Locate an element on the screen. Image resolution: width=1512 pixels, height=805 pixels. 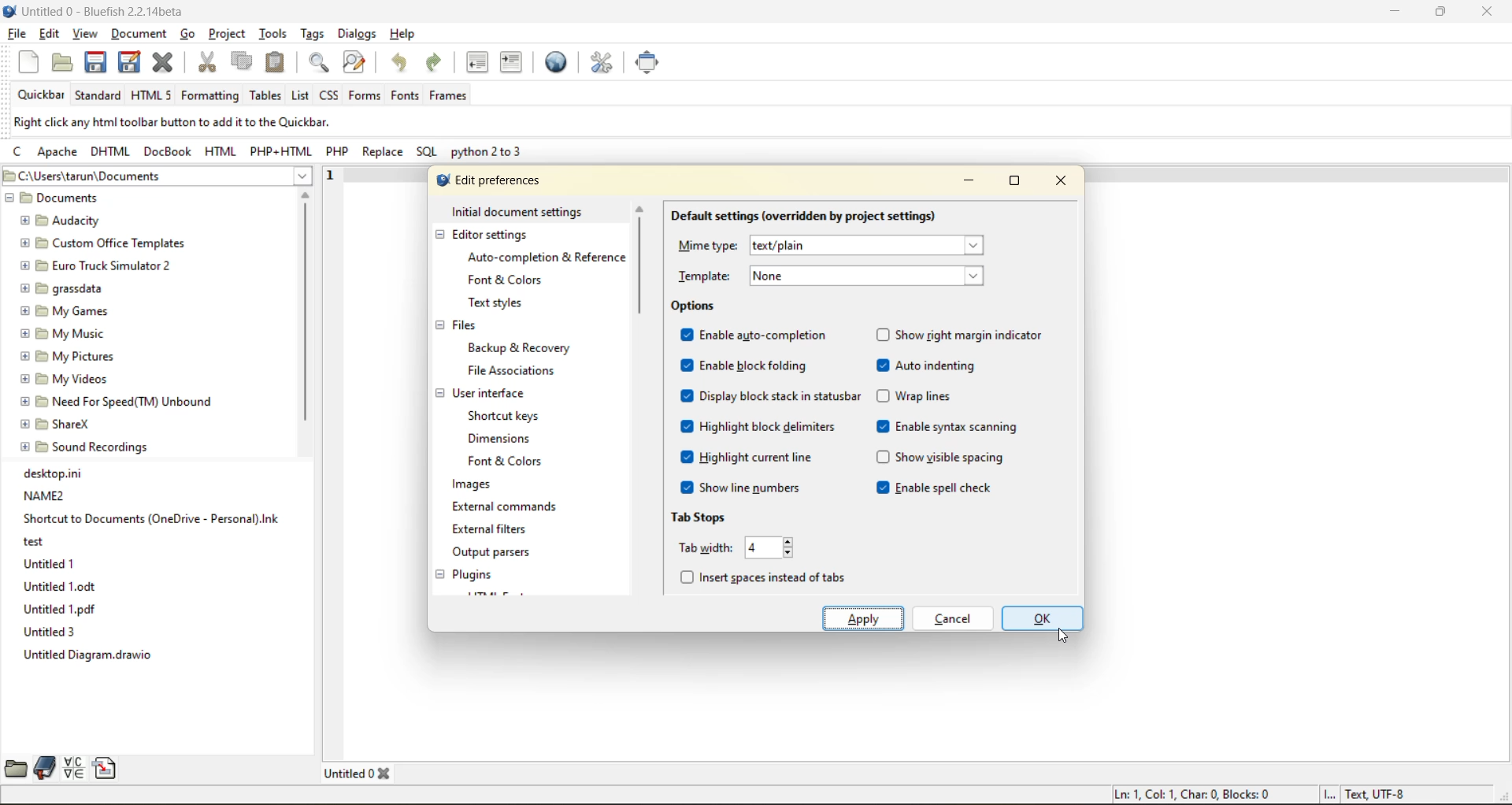
sql is located at coordinates (428, 154).